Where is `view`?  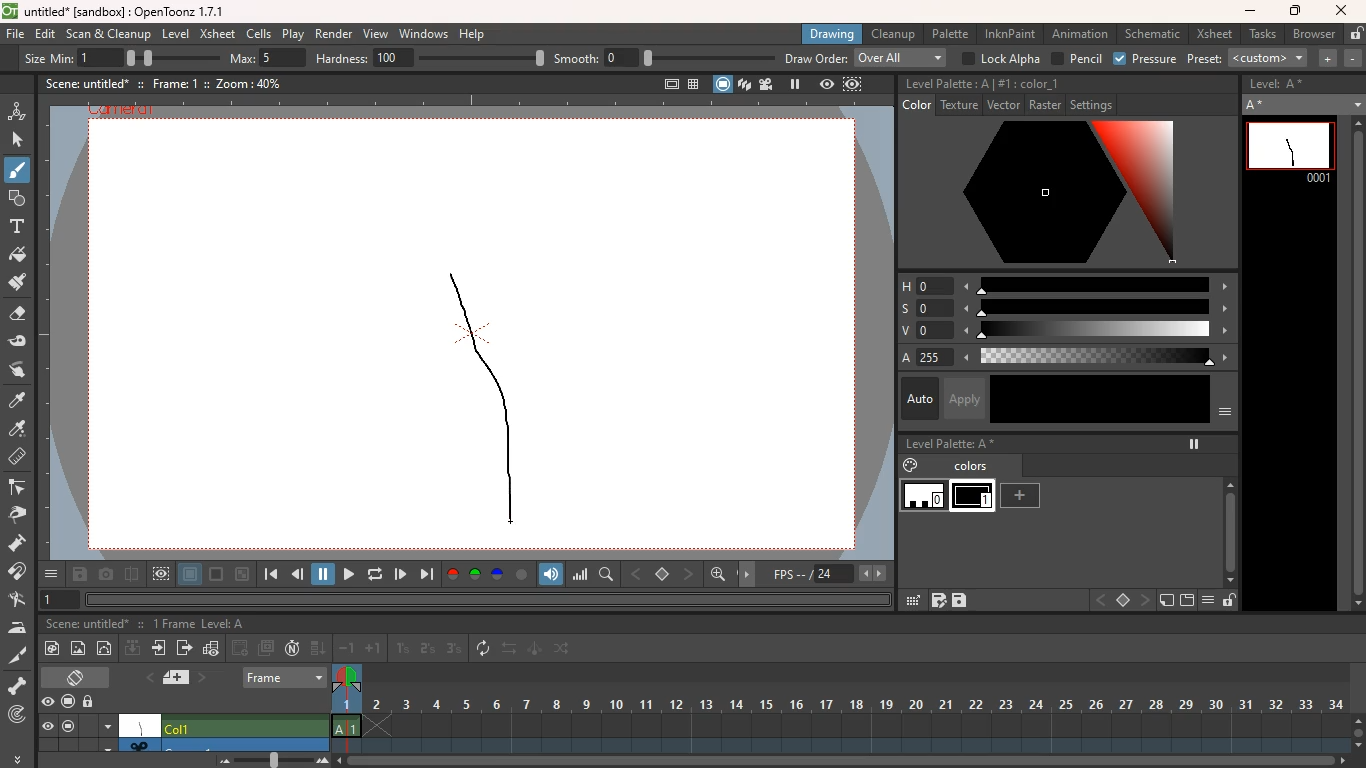
view is located at coordinates (162, 574).